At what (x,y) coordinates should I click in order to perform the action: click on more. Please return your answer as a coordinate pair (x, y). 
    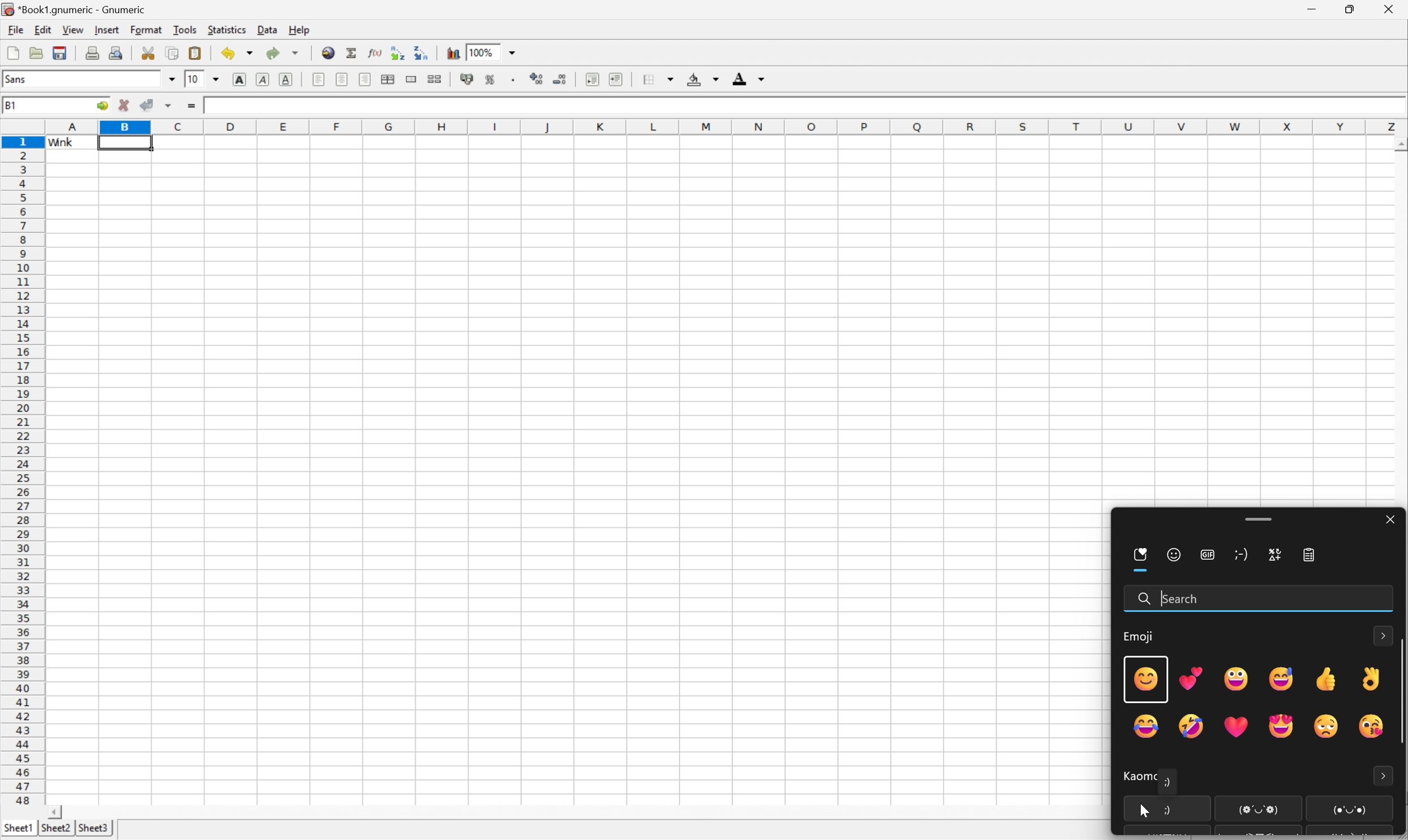
    Looking at the image, I should click on (1384, 634).